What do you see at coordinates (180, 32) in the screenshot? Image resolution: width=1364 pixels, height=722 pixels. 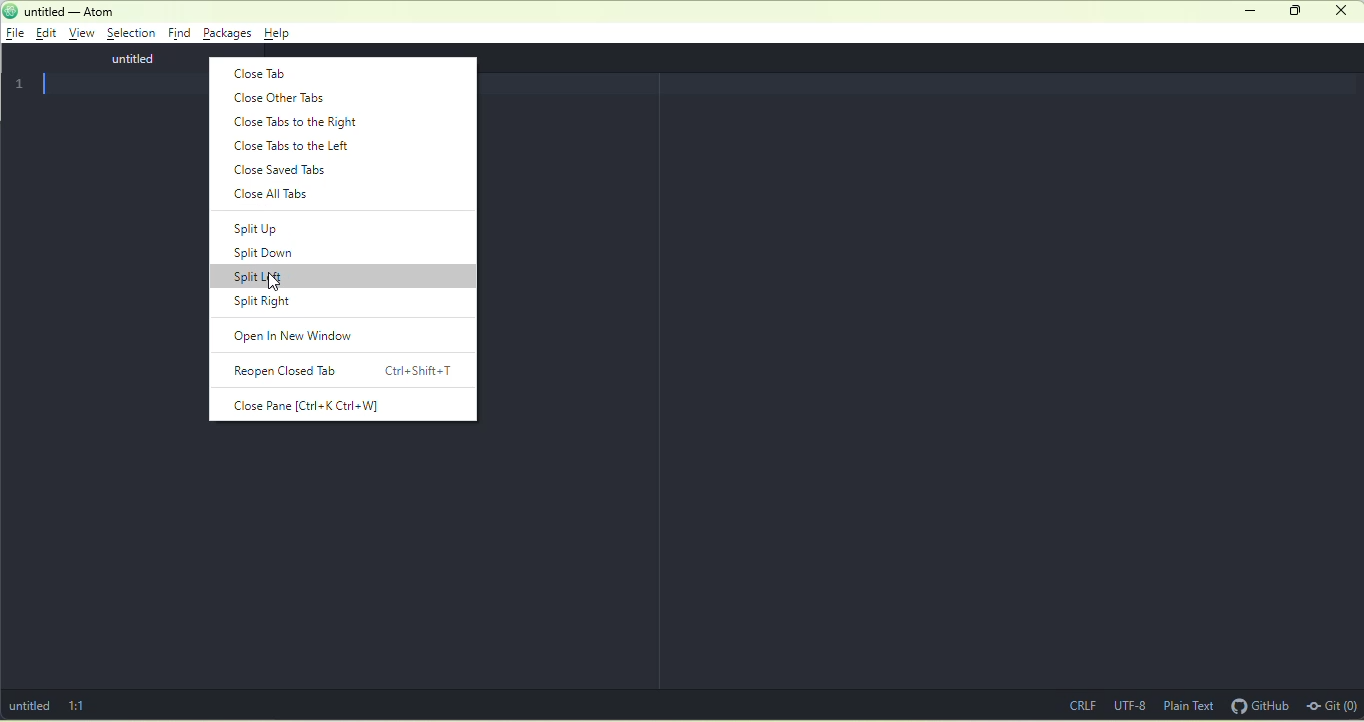 I see `find` at bounding box center [180, 32].